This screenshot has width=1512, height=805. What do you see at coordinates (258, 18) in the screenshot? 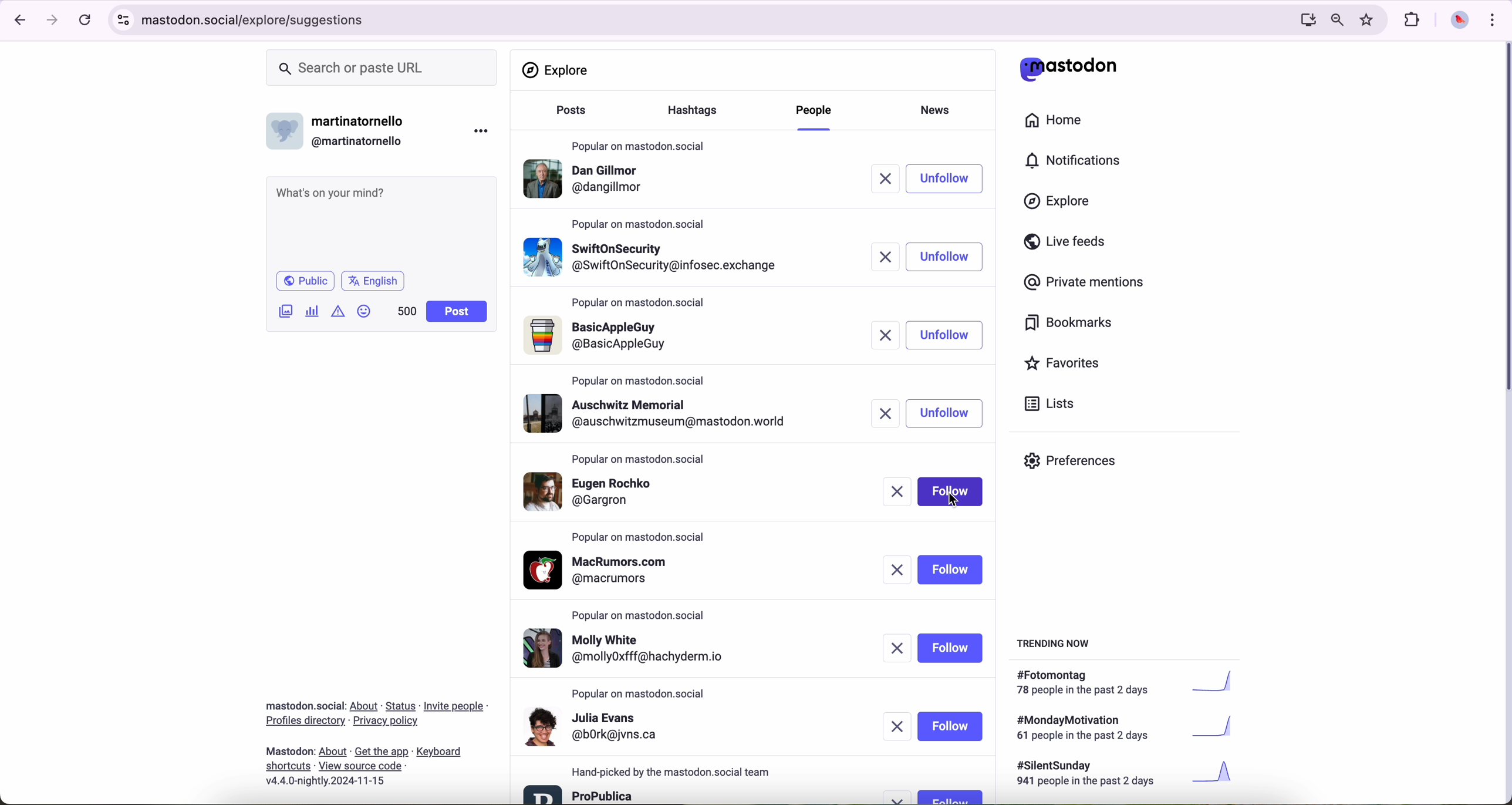
I see `URL` at bounding box center [258, 18].